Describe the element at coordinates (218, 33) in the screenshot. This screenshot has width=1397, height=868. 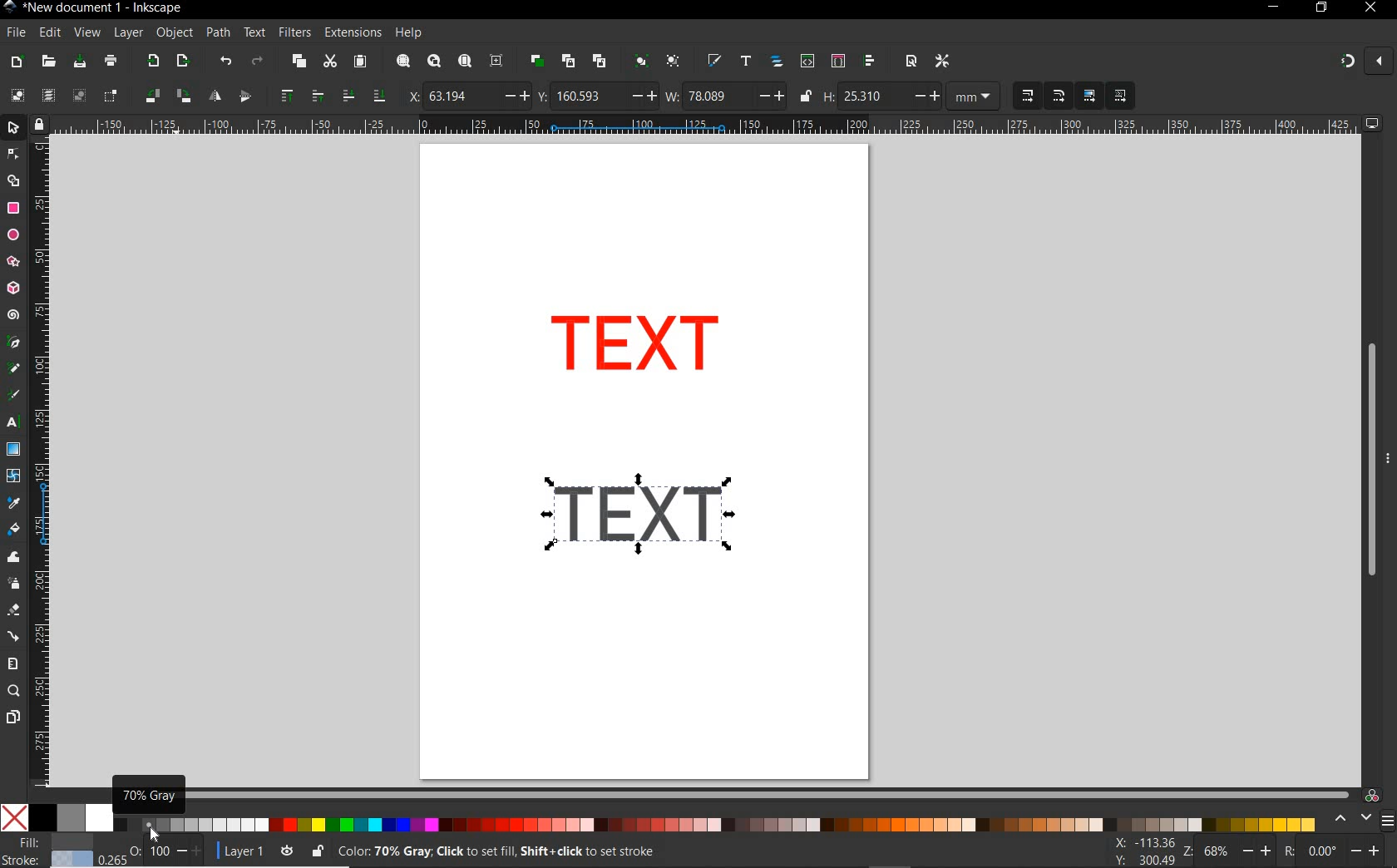
I see `path` at that location.